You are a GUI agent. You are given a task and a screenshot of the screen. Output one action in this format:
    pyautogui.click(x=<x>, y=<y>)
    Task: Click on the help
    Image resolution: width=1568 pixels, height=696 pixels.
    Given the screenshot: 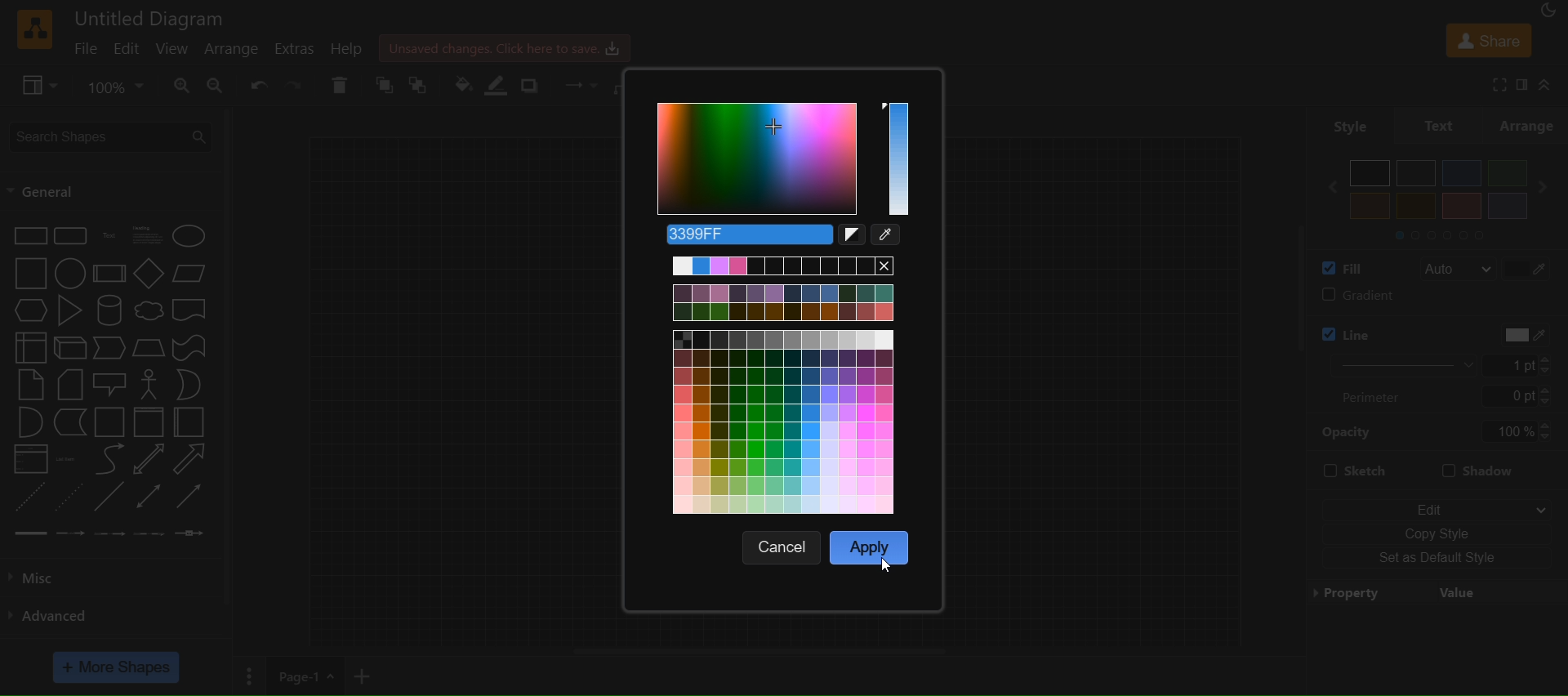 What is the action you would take?
    pyautogui.click(x=354, y=49)
    